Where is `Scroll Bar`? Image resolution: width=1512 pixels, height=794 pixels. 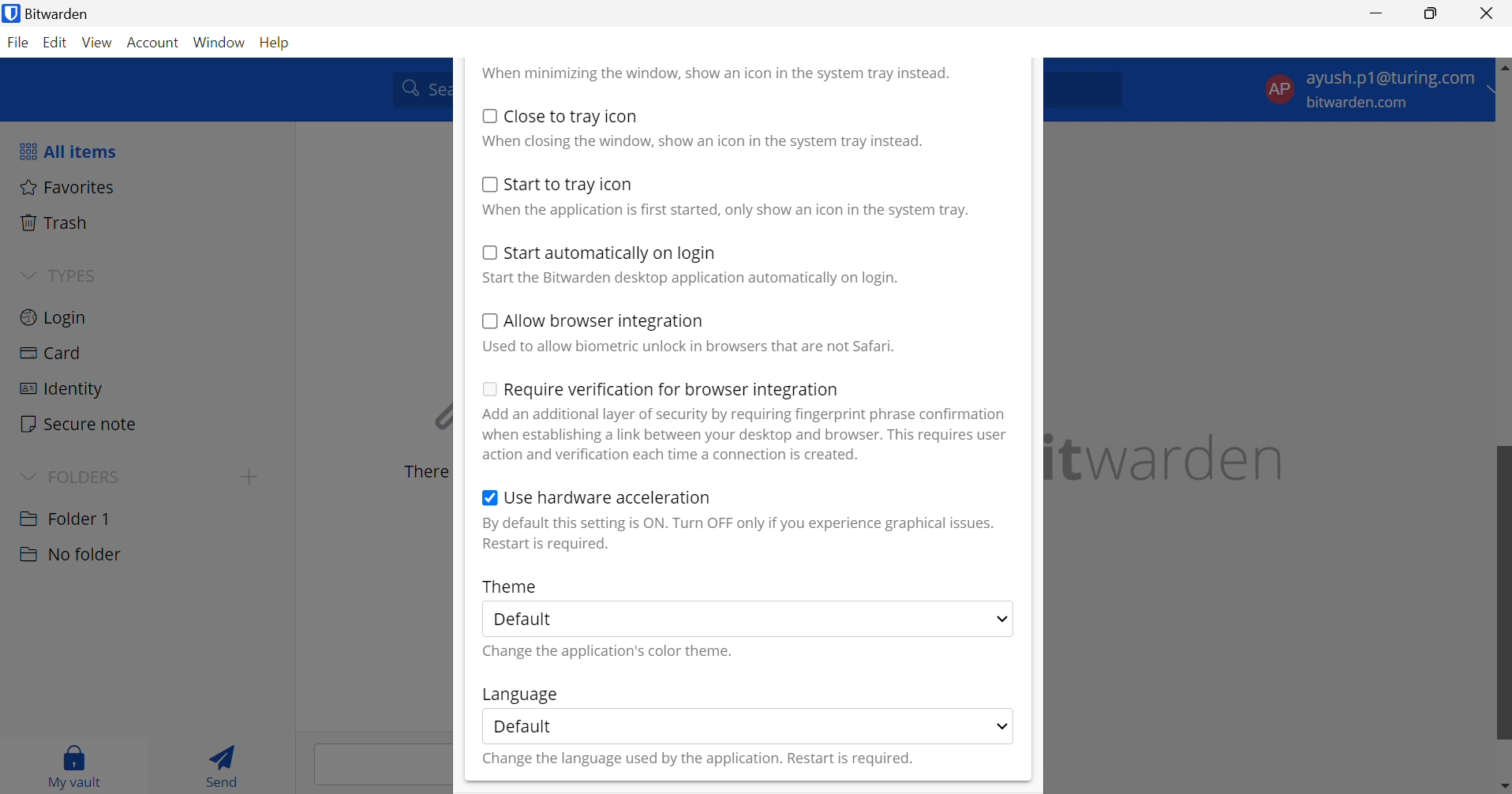 Scroll Bar is located at coordinates (1503, 451).